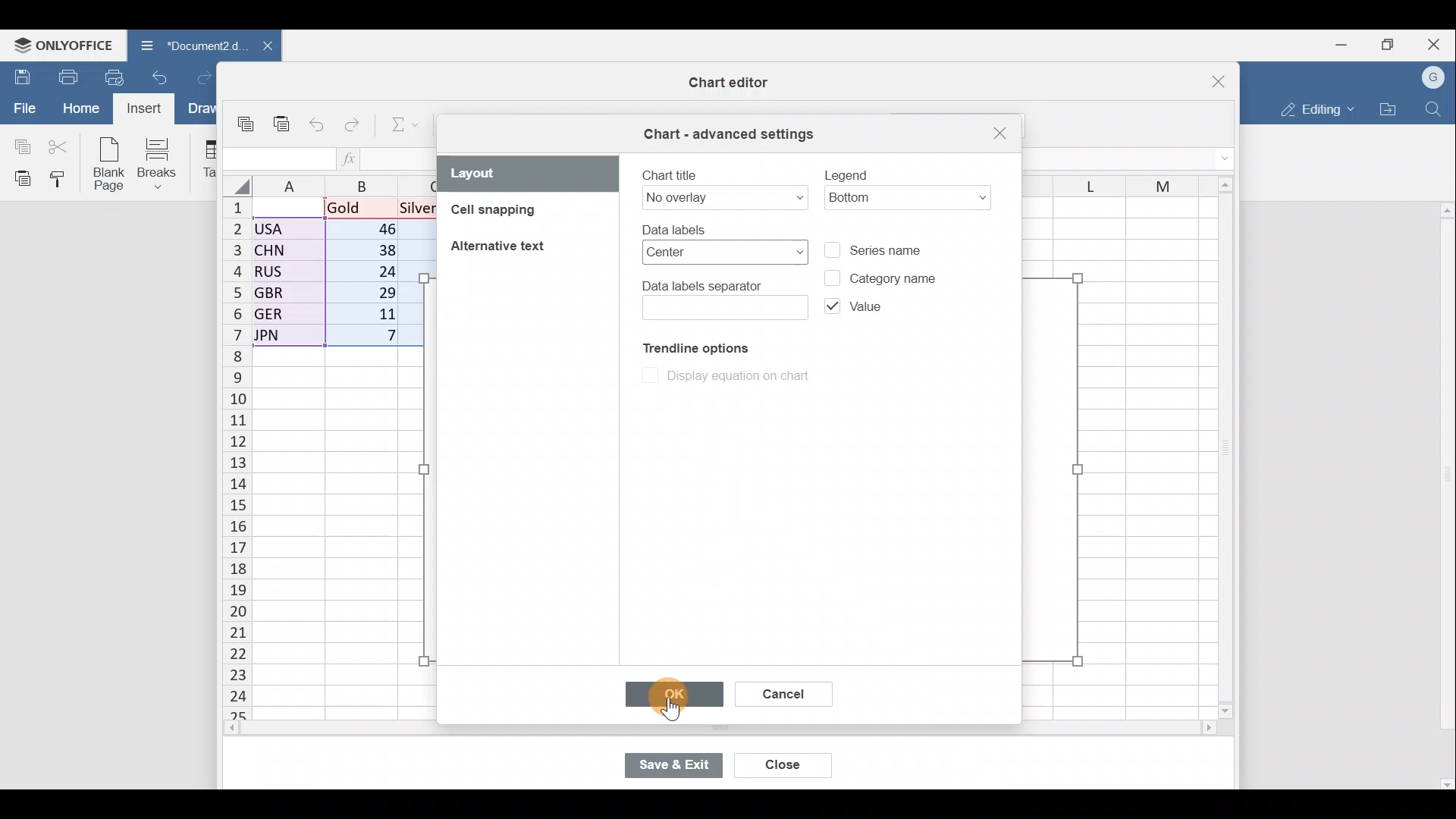 This screenshot has height=819, width=1456. I want to click on Undo, so click(164, 82).